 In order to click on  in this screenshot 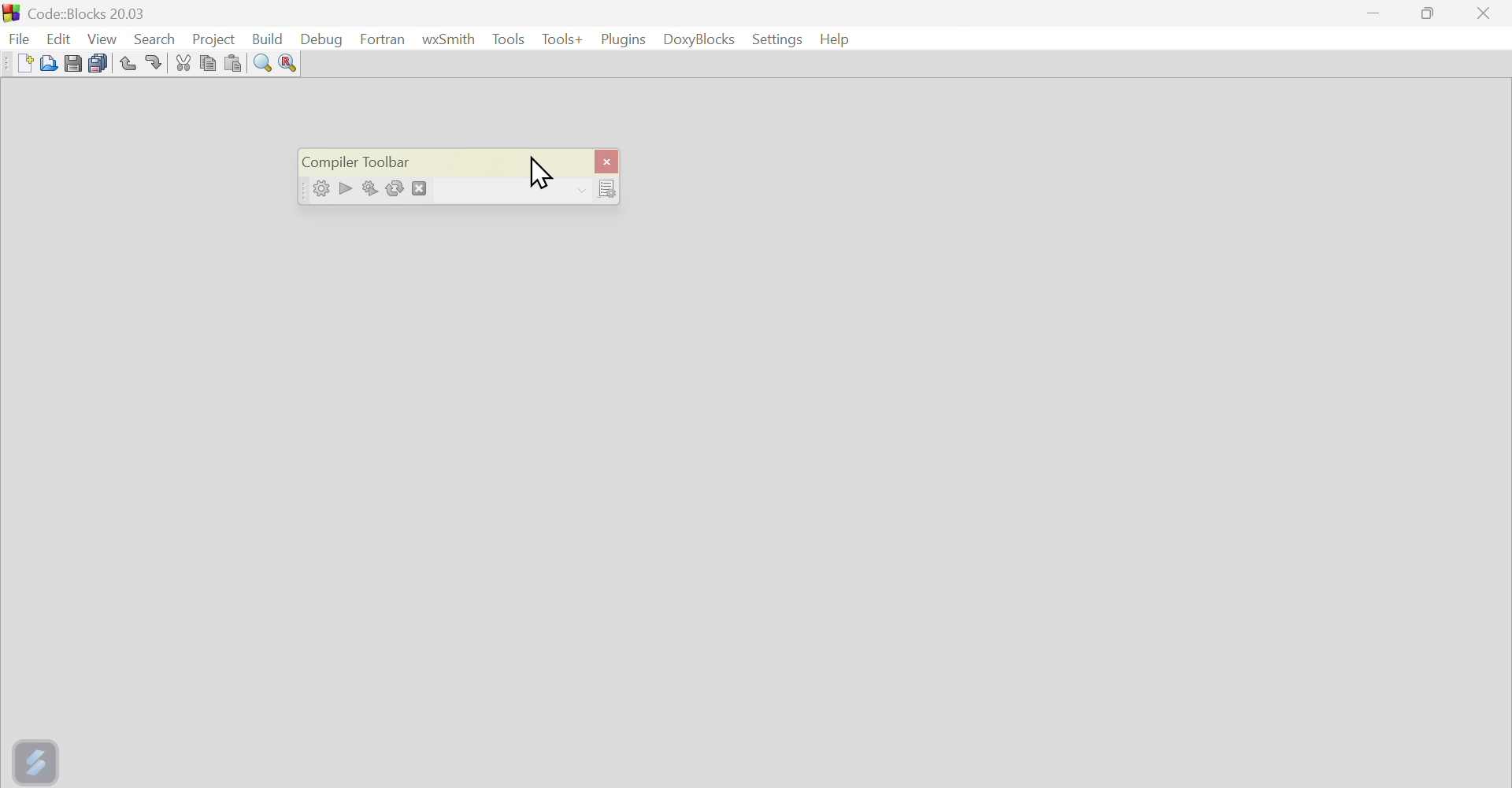, I will do `click(73, 61)`.